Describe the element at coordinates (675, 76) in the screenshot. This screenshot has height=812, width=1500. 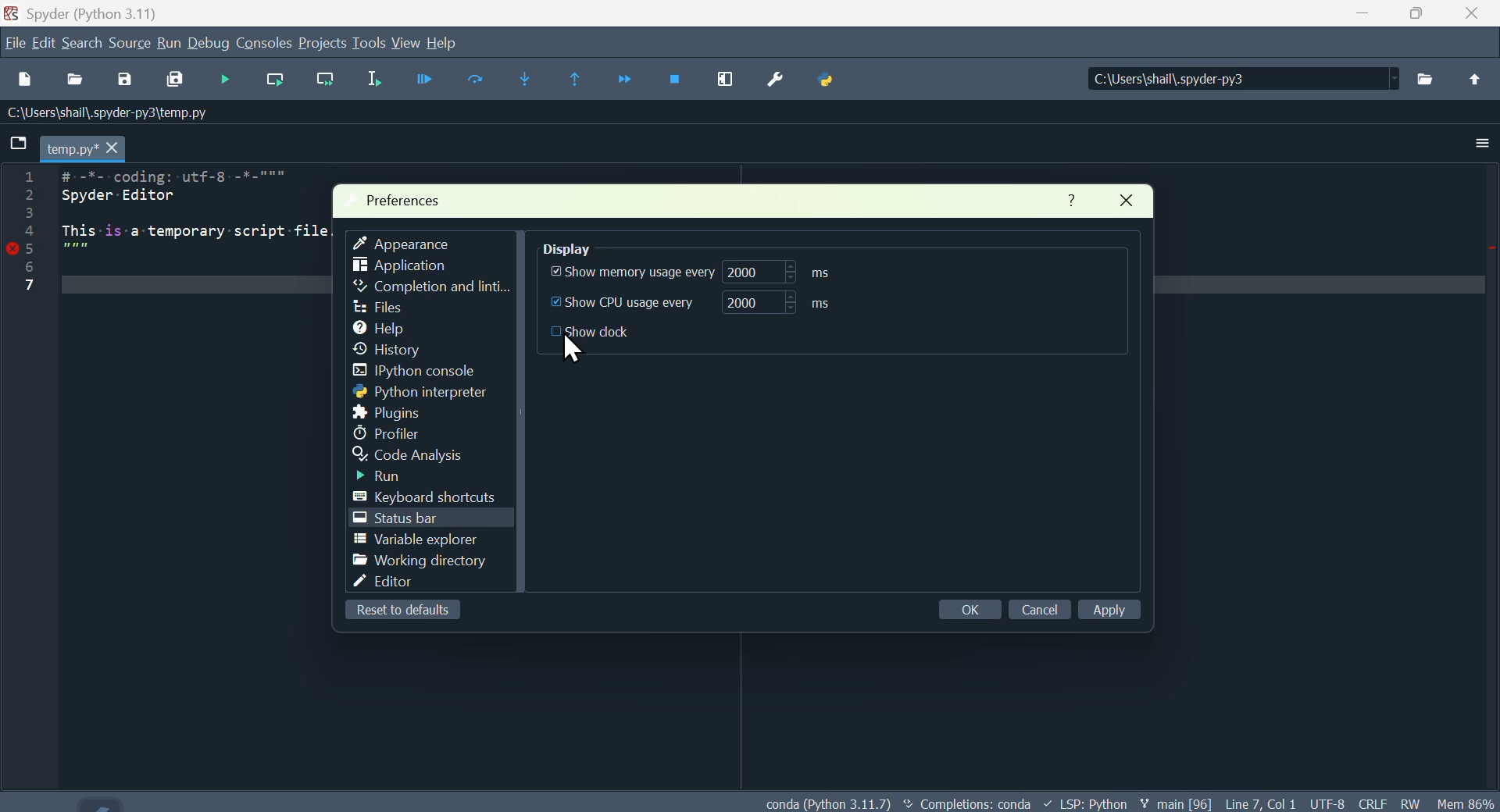
I see `Stop debugging` at that location.